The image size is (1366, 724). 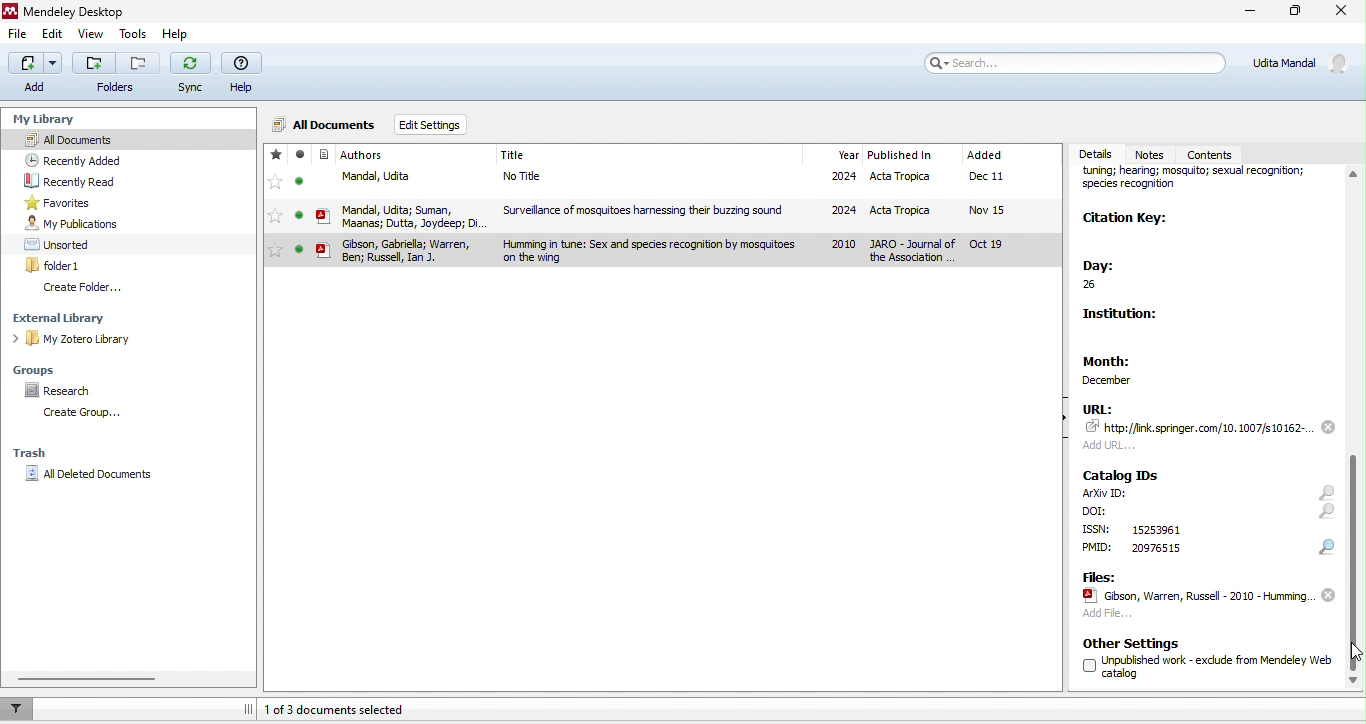 I want to click on my publication, so click(x=72, y=224).